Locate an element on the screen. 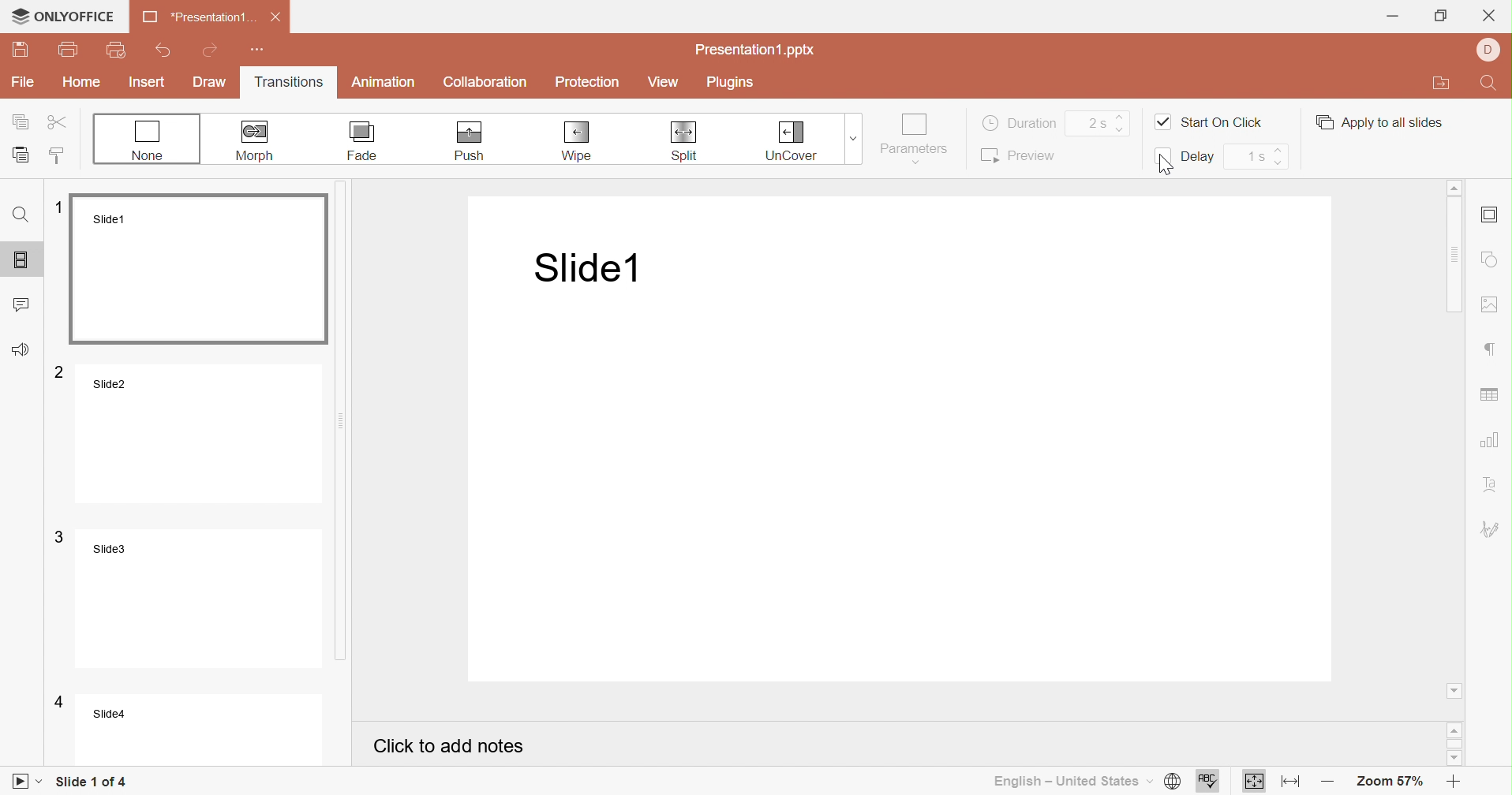 The width and height of the screenshot is (1512, 795). Click to add notes is located at coordinates (450, 748).